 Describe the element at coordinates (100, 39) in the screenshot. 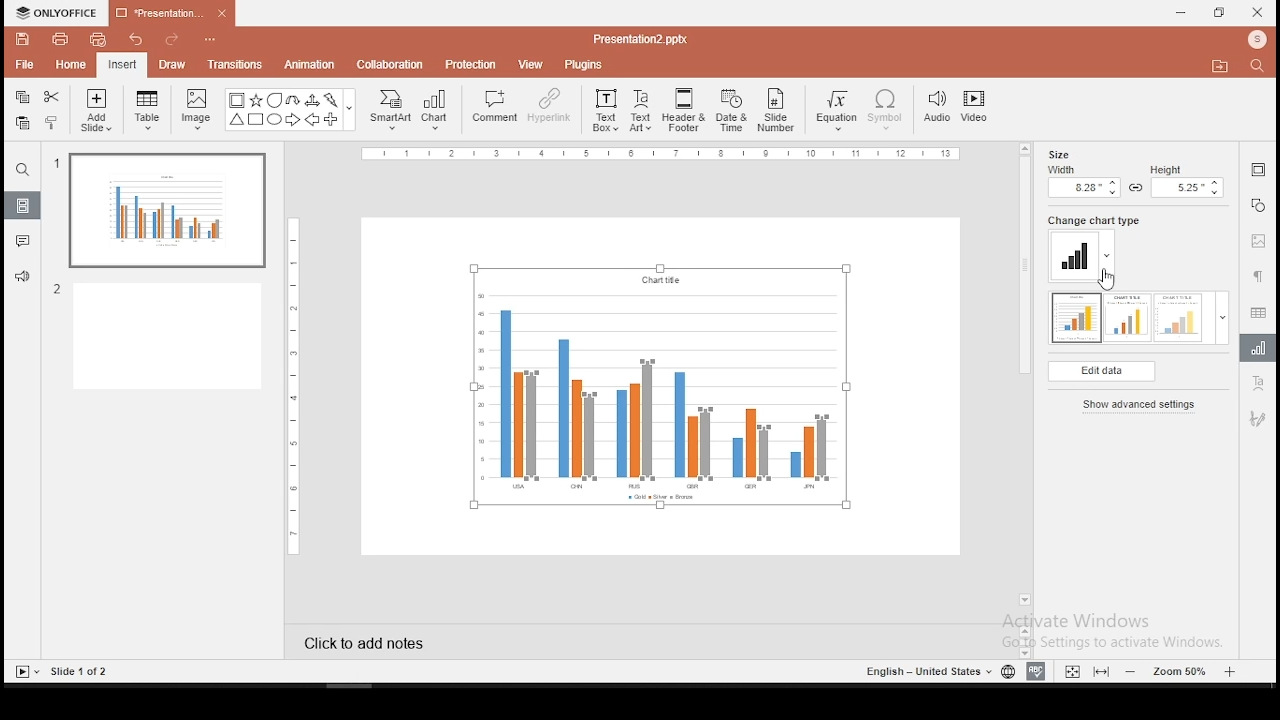

I see `quick print` at that location.